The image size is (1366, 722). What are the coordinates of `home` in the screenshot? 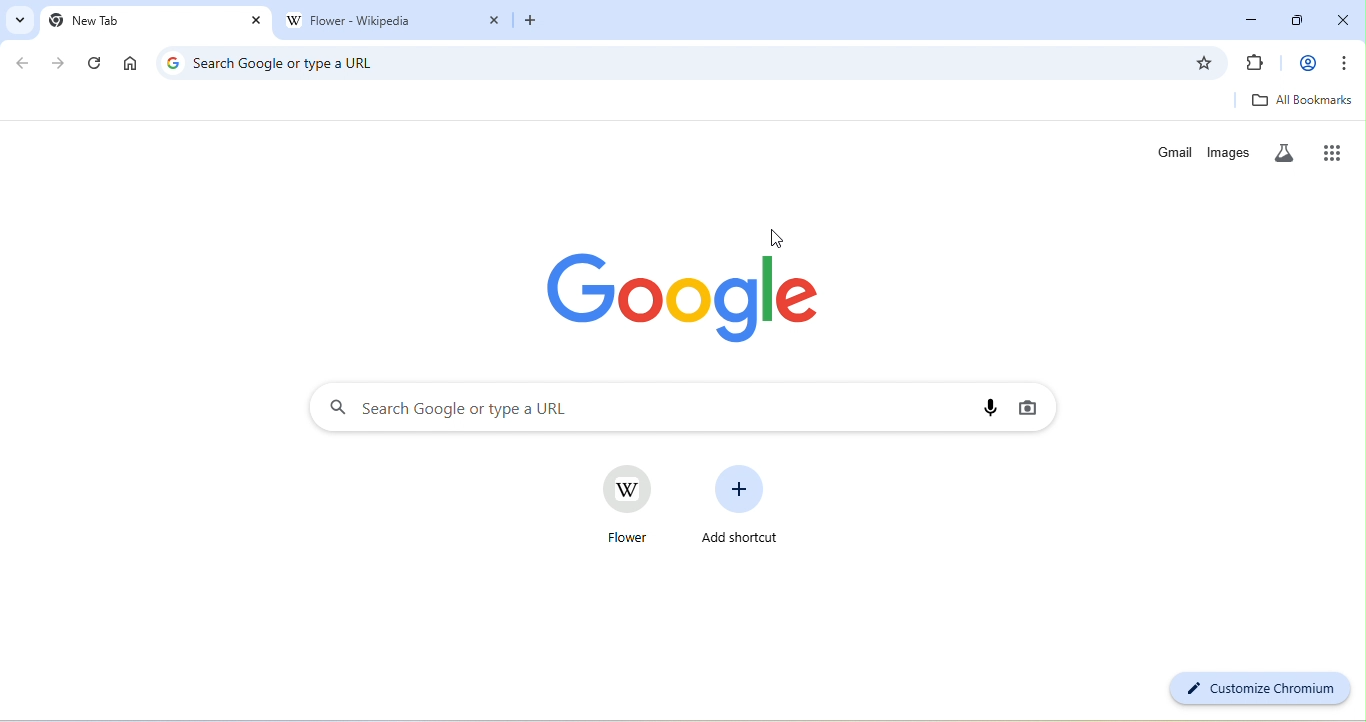 It's located at (130, 64).